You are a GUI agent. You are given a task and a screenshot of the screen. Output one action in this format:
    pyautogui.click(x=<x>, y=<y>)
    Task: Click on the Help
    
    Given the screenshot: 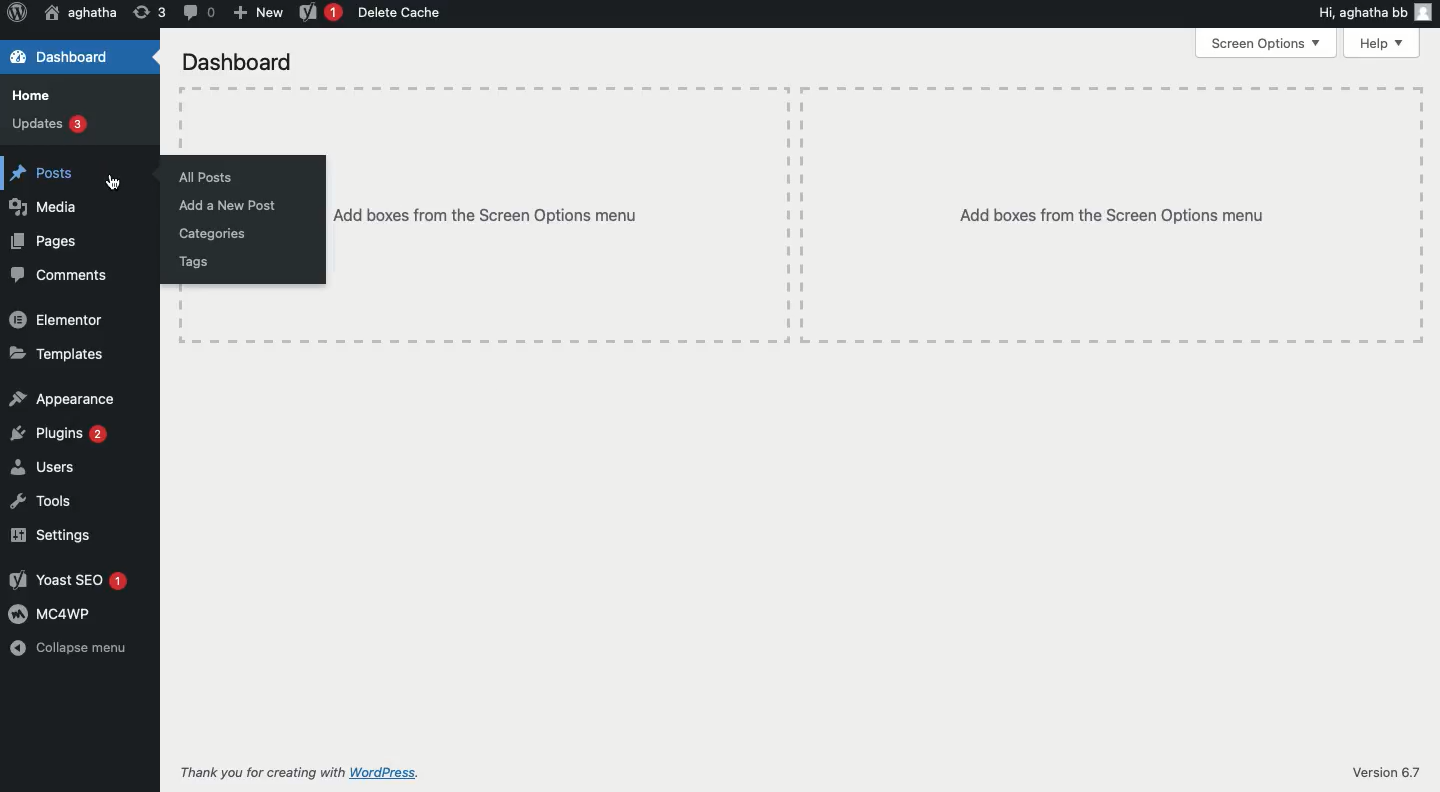 What is the action you would take?
    pyautogui.click(x=1380, y=43)
    